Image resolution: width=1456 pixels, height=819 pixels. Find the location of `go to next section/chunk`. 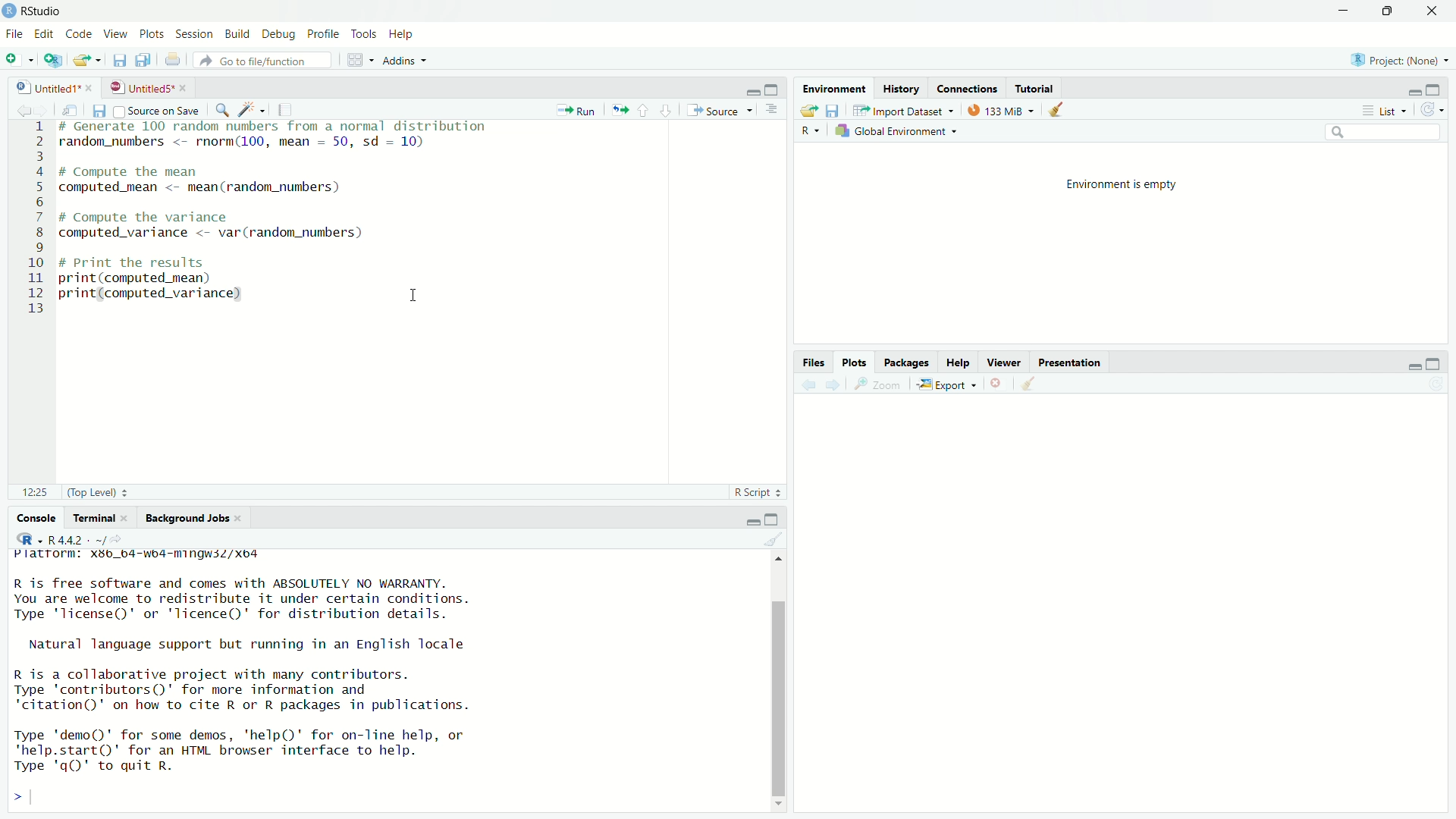

go to next section/chunk is located at coordinates (667, 110).